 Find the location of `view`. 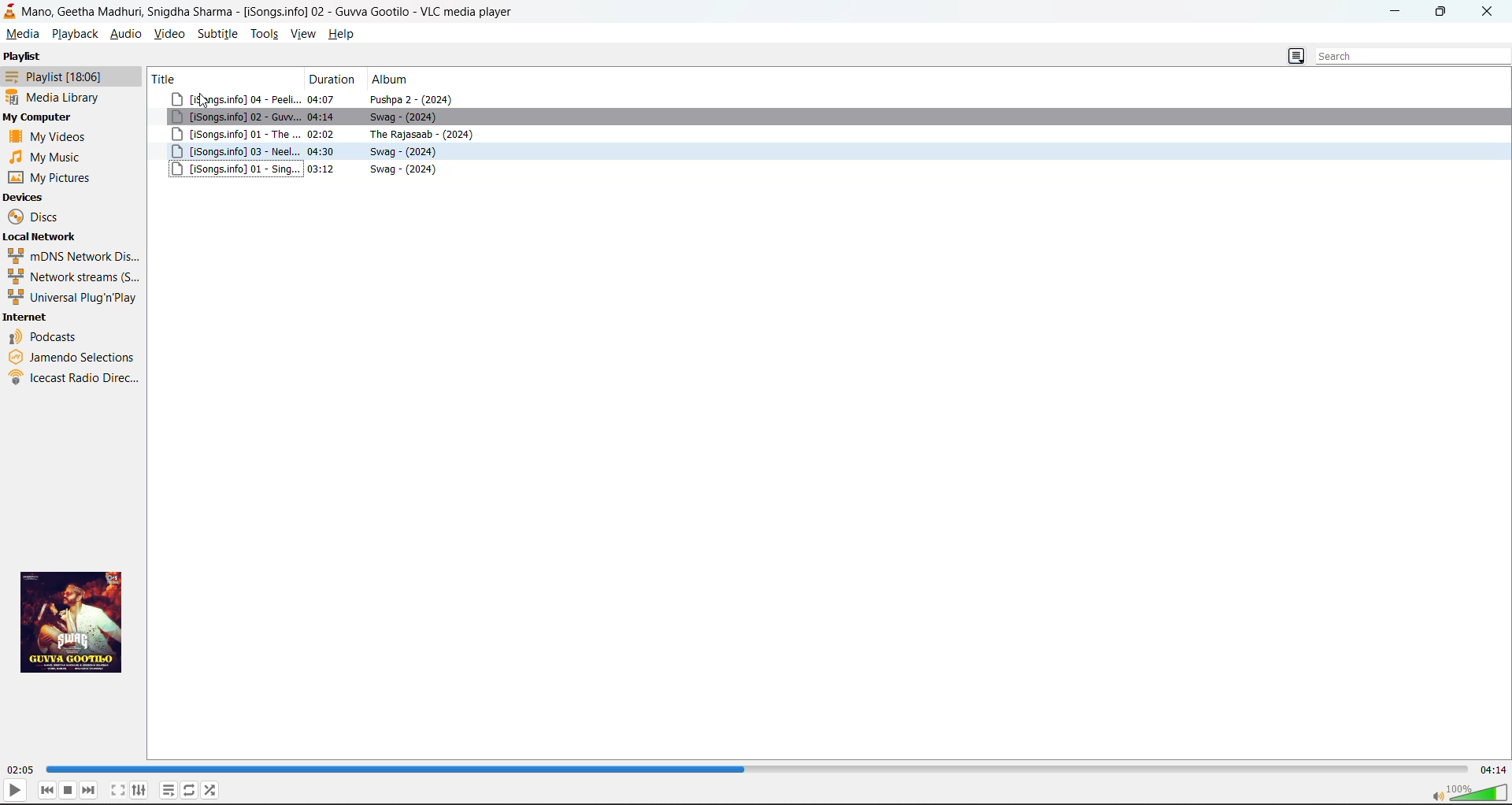

view is located at coordinates (304, 33).